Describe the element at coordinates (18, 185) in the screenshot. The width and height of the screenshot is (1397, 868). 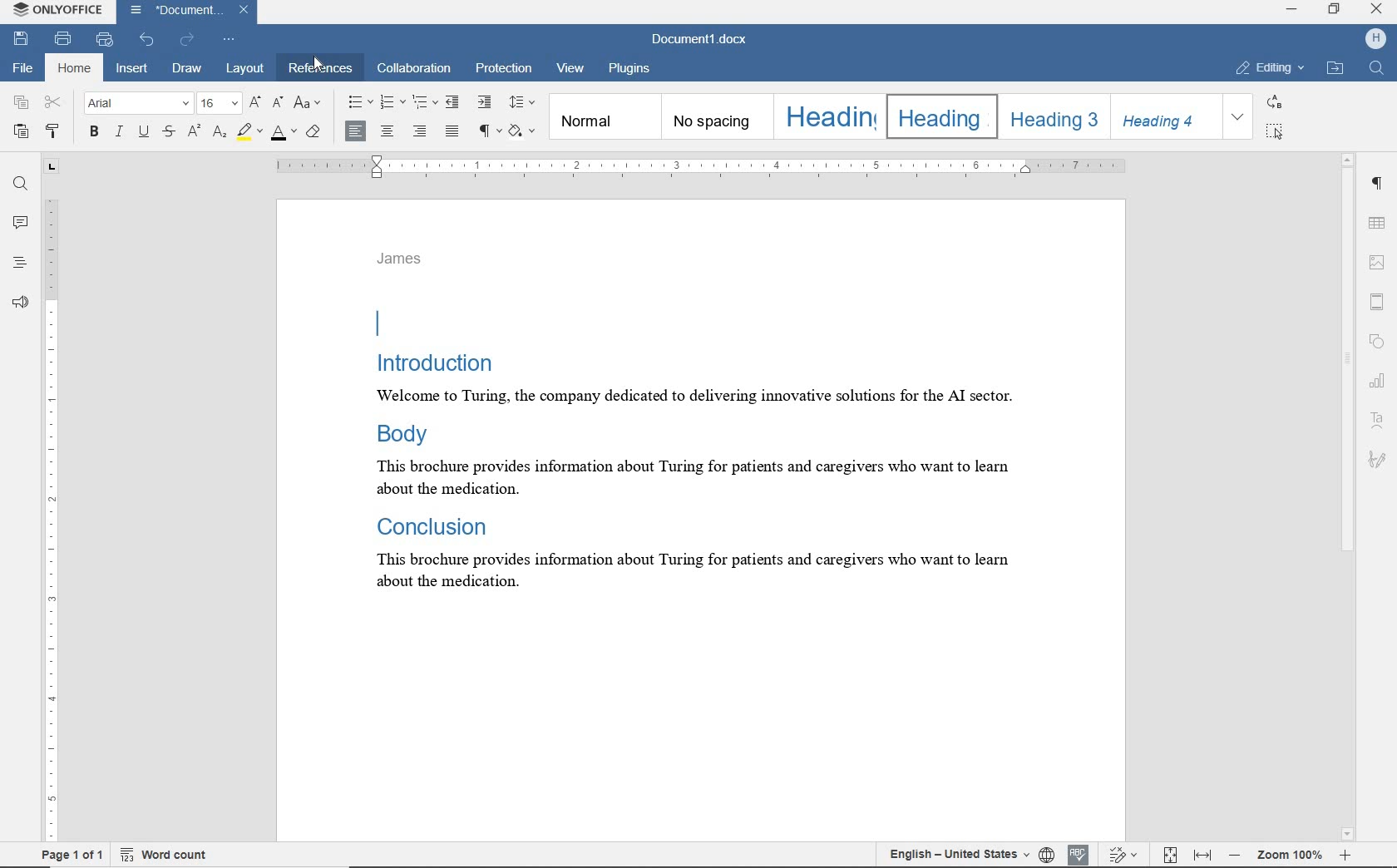
I see `find` at that location.